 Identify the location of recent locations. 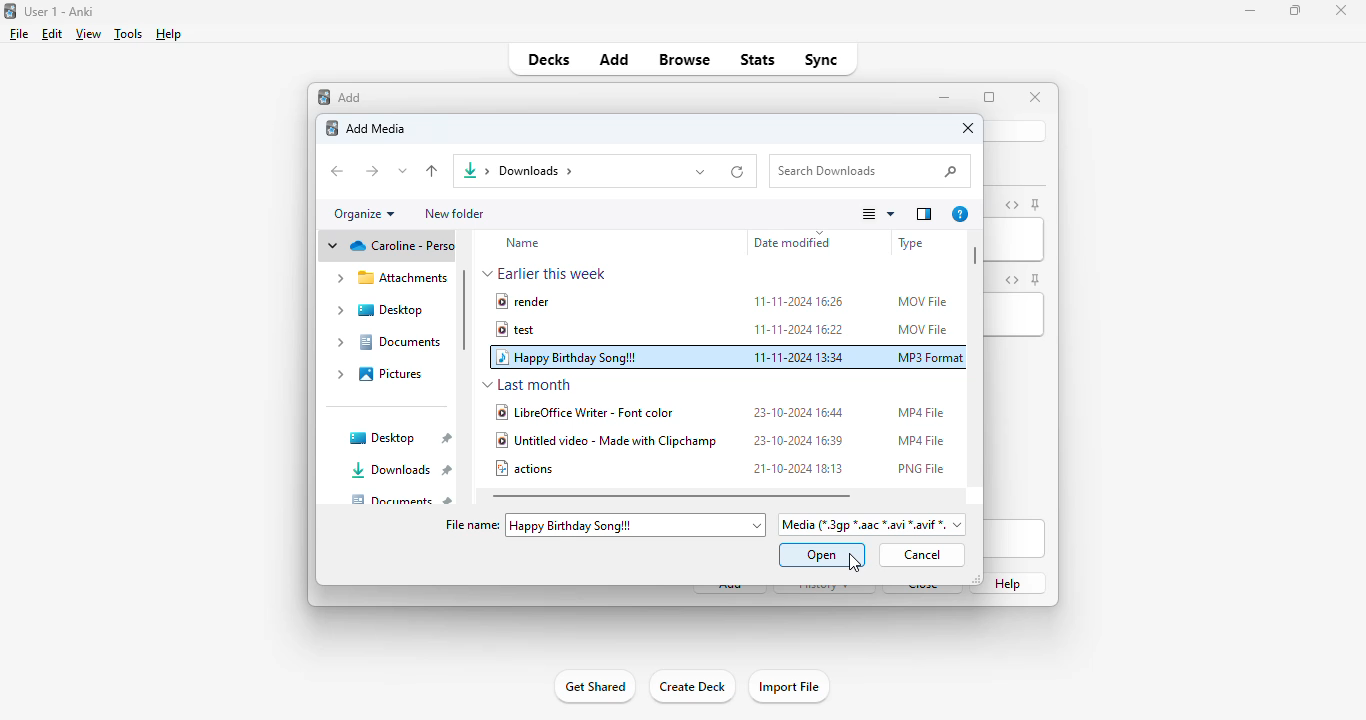
(403, 170).